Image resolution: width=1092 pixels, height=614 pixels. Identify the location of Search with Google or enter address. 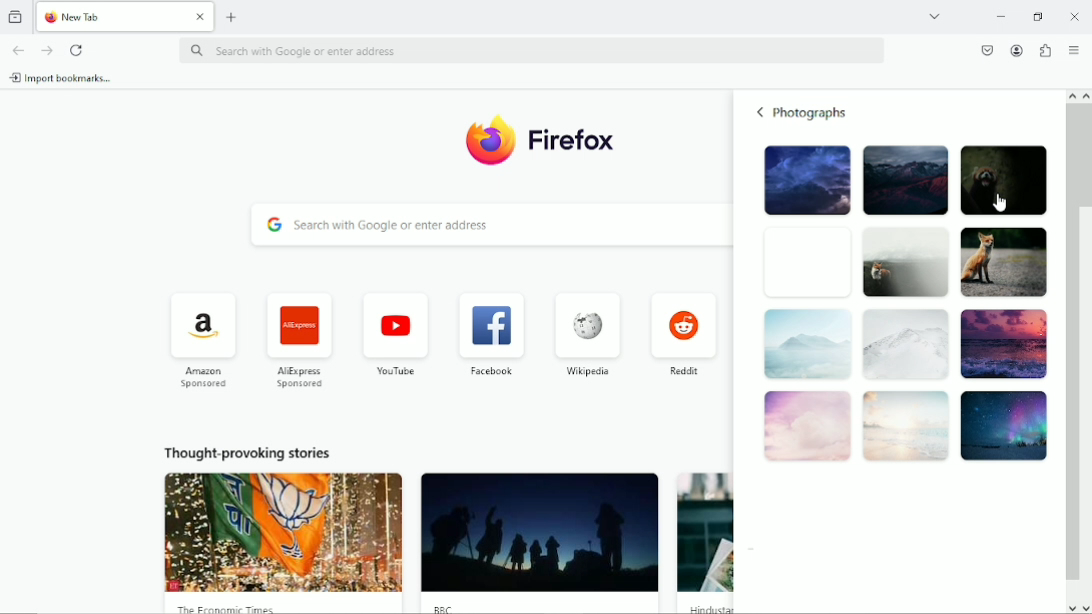
(487, 225).